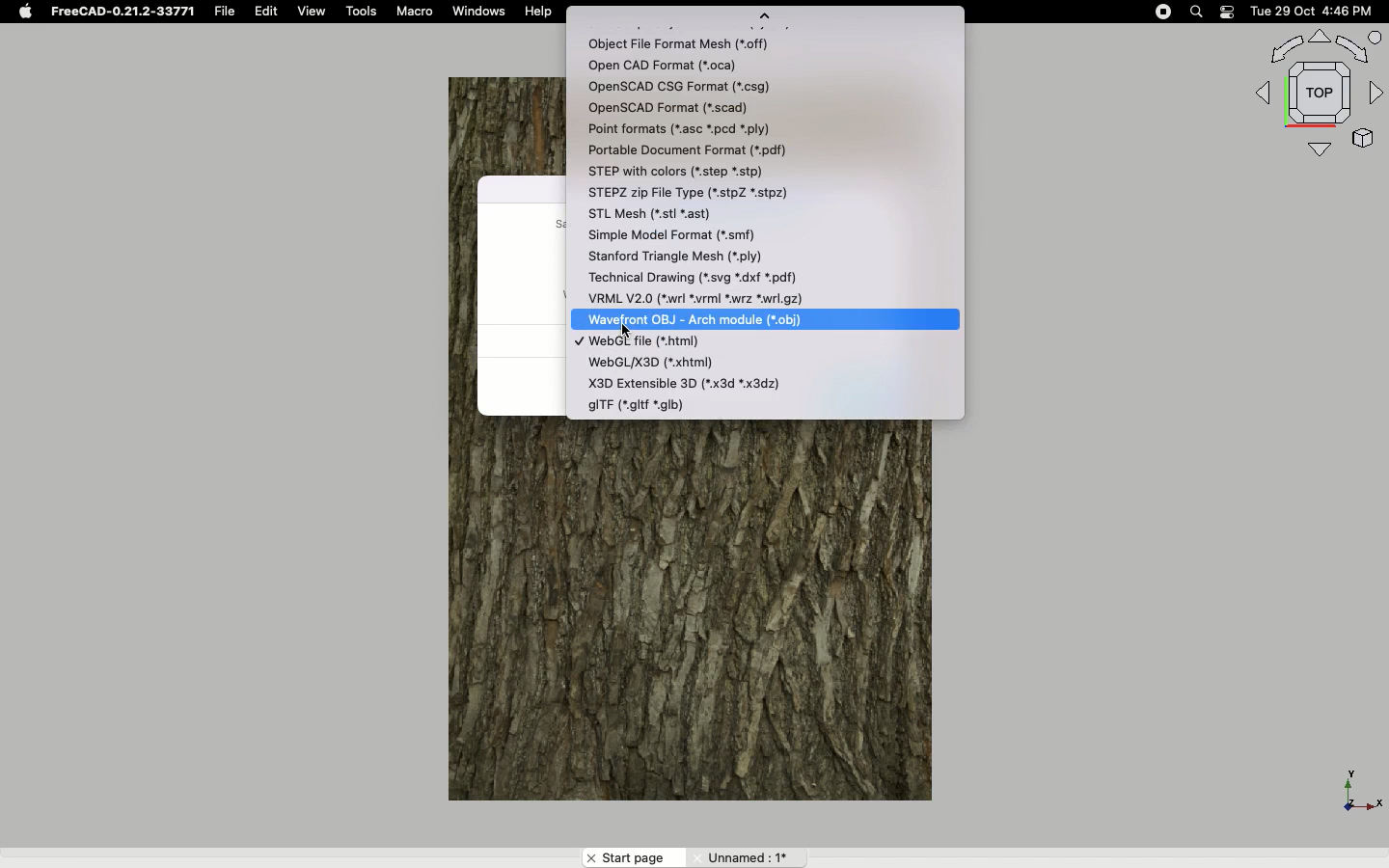 The image size is (1389, 868). I want to click on VRML v2.0(*.wrl*.vrml*.wrz*.wrl.gz), so click(703, 297).